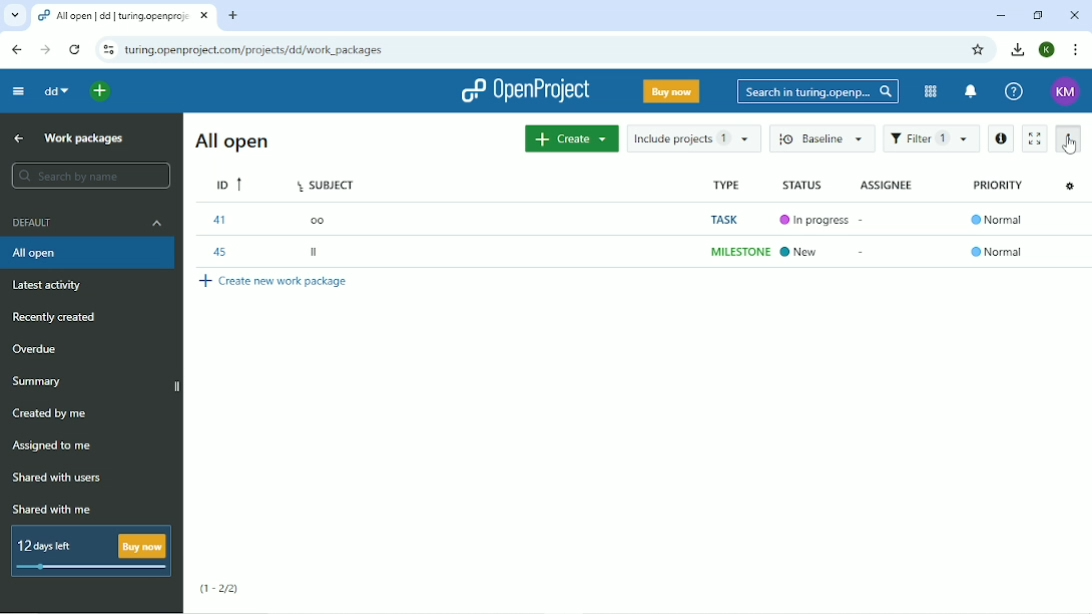  I want to click on Work packages, so click(84, 140).